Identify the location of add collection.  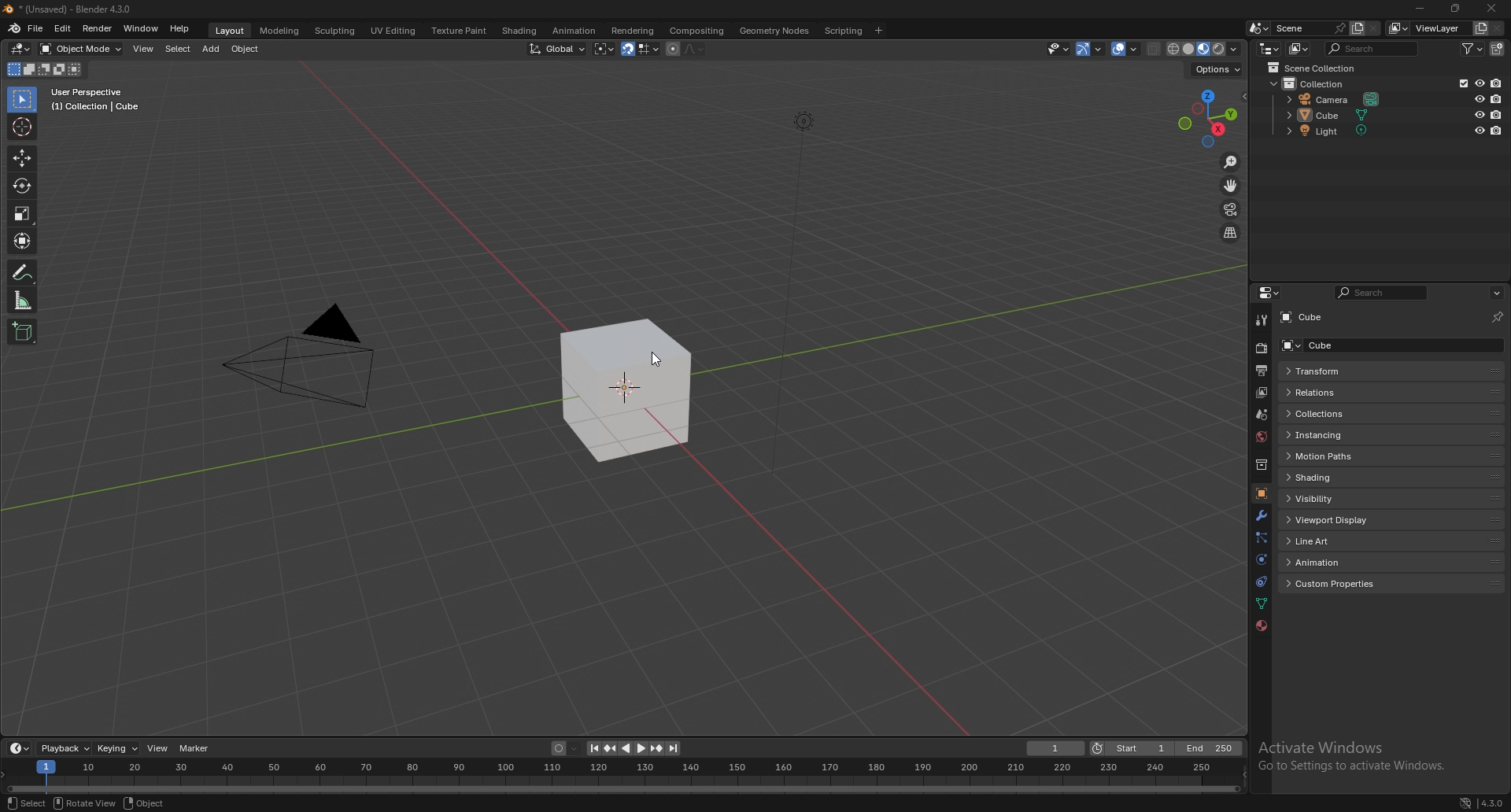
(1498, 49).